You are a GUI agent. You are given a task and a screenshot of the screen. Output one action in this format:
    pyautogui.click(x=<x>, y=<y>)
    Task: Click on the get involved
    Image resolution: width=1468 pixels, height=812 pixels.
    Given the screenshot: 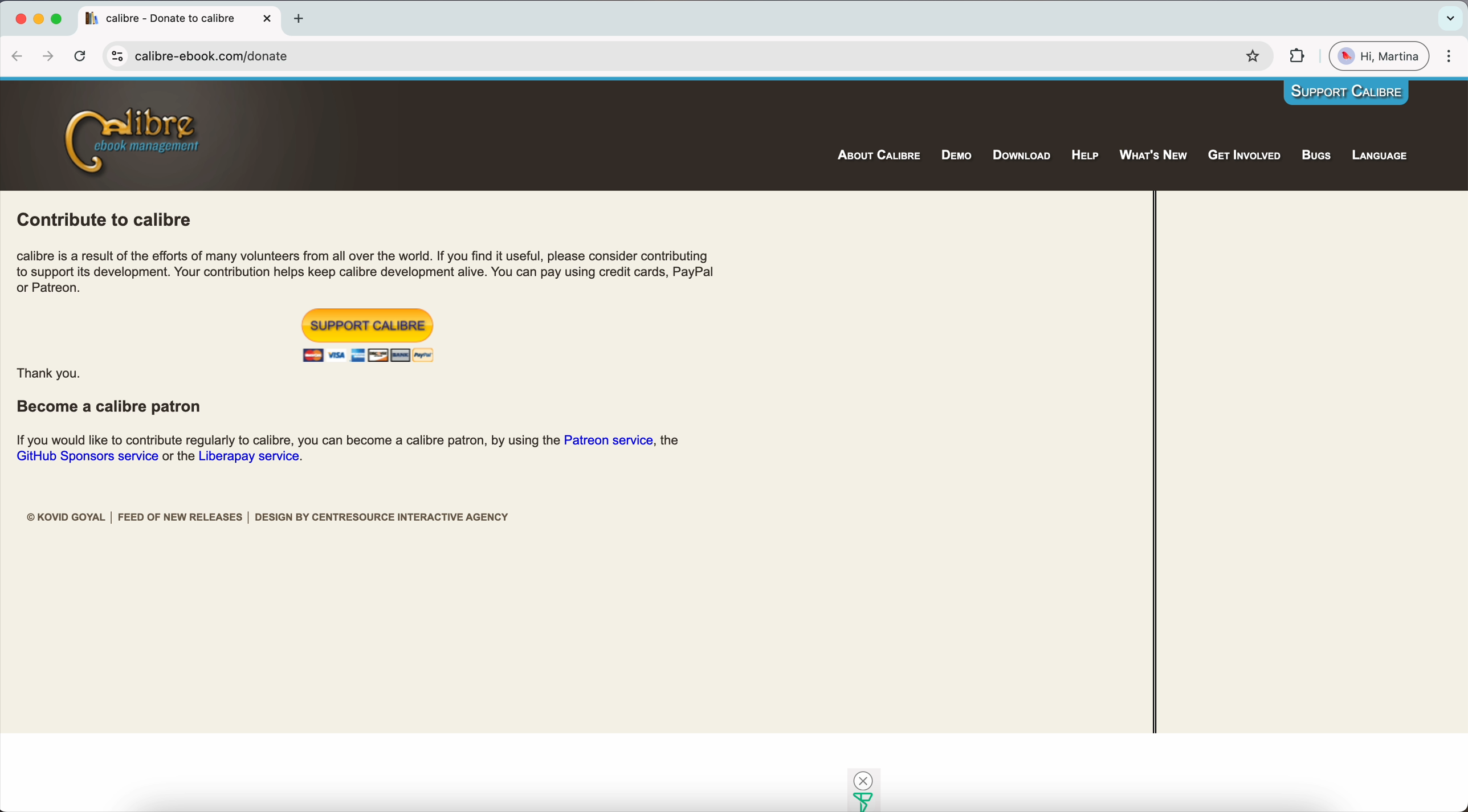 What is the action you would take?
    pyautogui.click(x=1245, y=156)
    